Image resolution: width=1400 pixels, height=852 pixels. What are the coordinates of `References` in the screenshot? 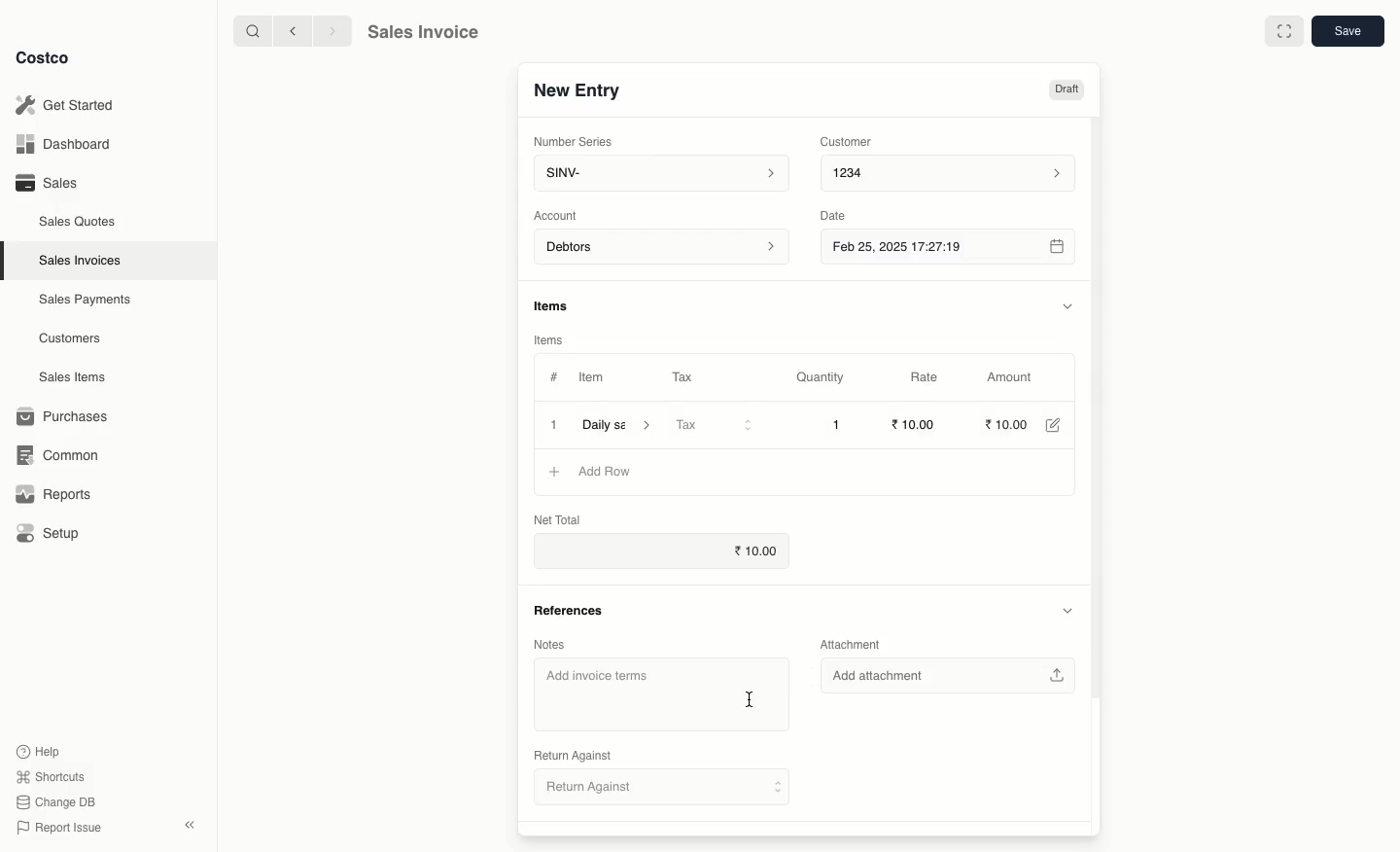 It's located at (576, 611).